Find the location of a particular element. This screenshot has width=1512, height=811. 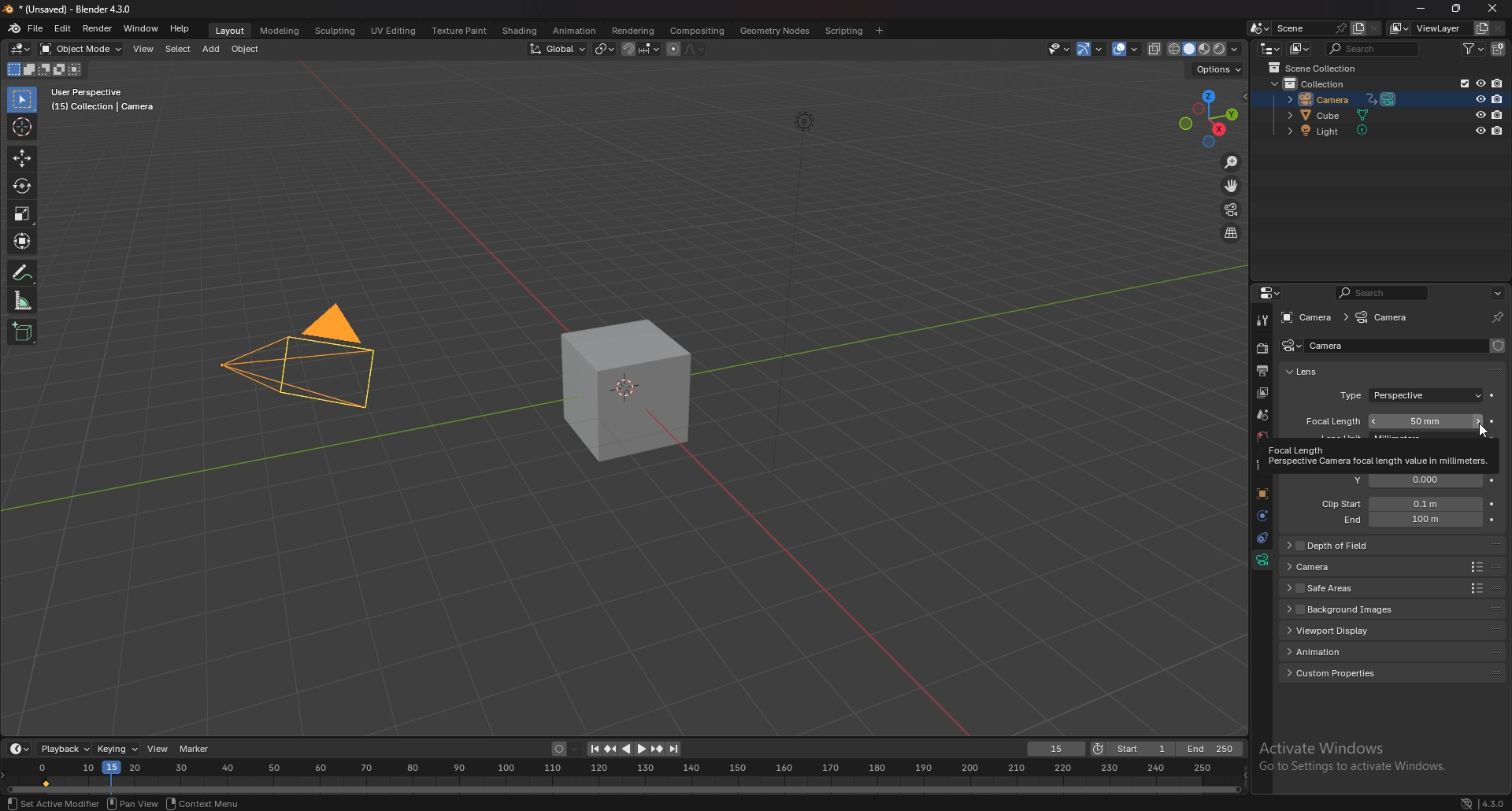

annotate is located at coordinates (24, 272).